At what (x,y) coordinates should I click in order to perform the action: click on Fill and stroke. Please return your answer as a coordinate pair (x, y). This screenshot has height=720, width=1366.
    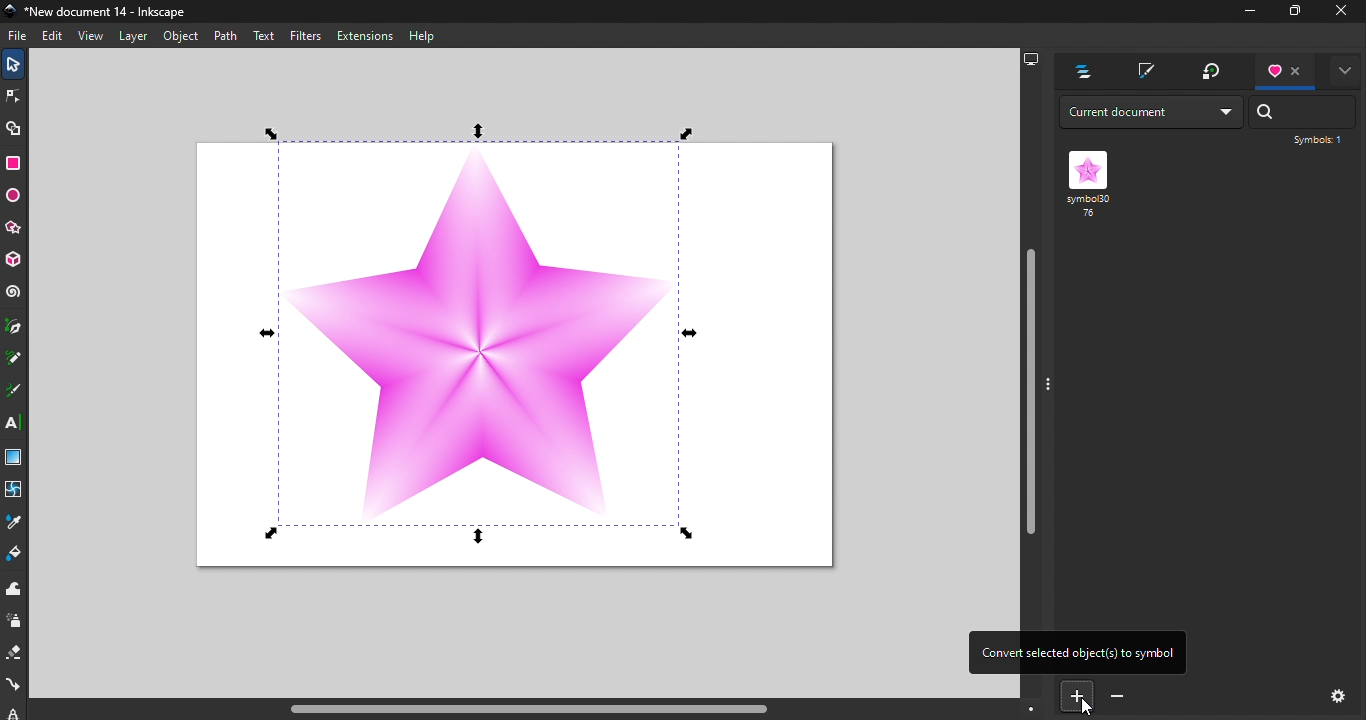
    Looking at the image, I should click on (1143, 73).